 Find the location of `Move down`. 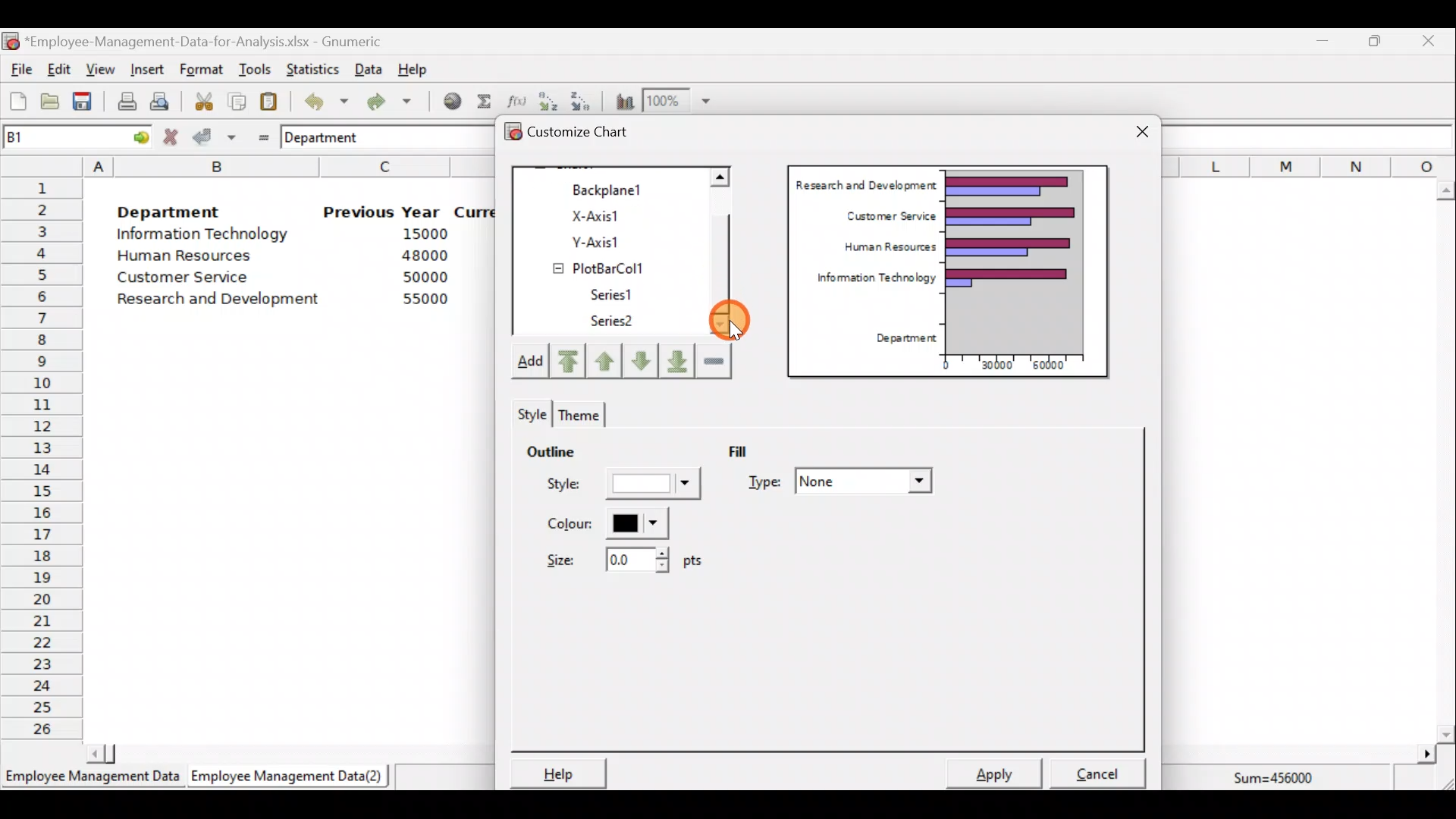

Move down is located at coordinates (640, 361).